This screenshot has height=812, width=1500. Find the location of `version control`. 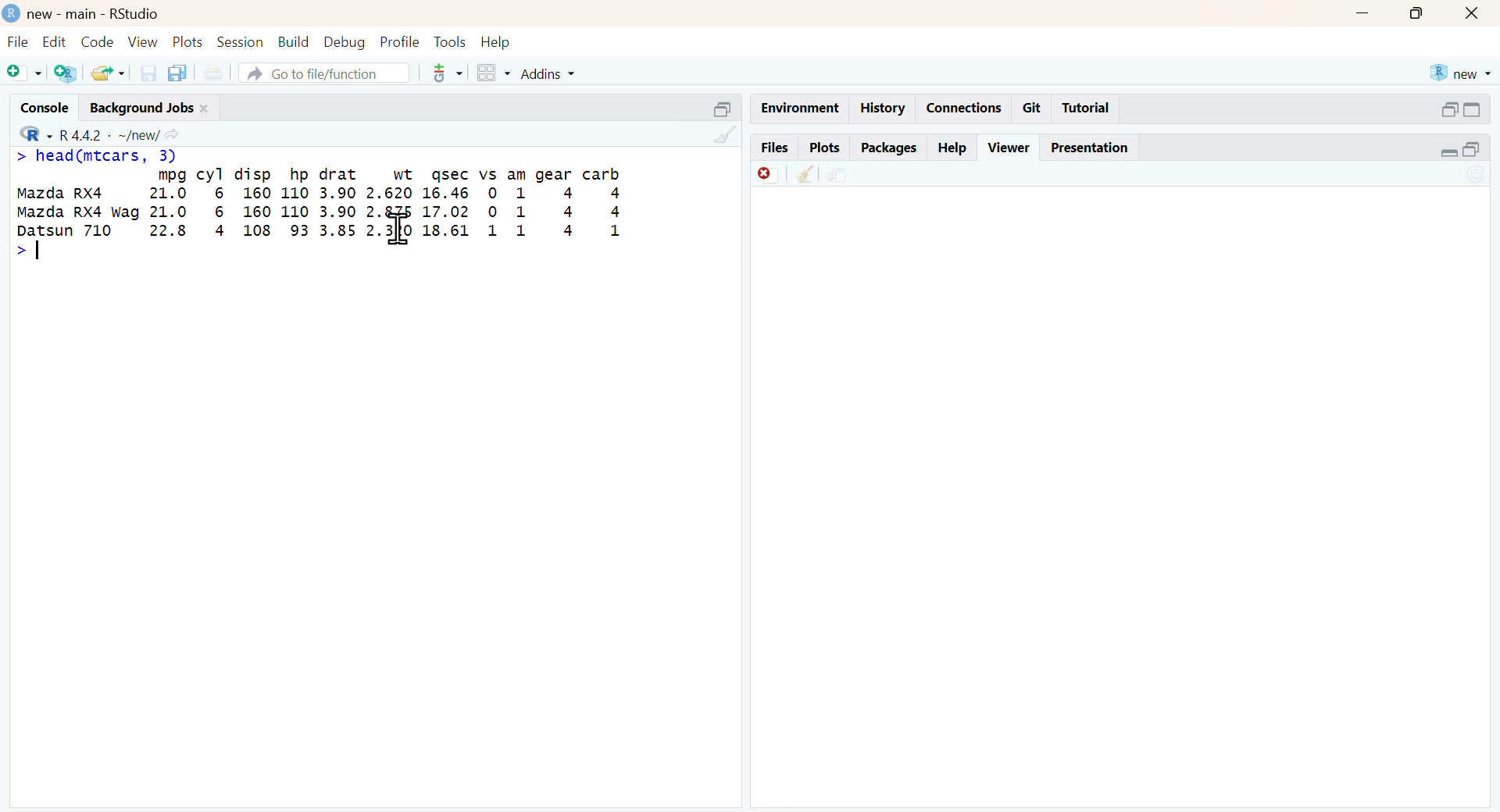

version control is located at coordinates (444, 73).